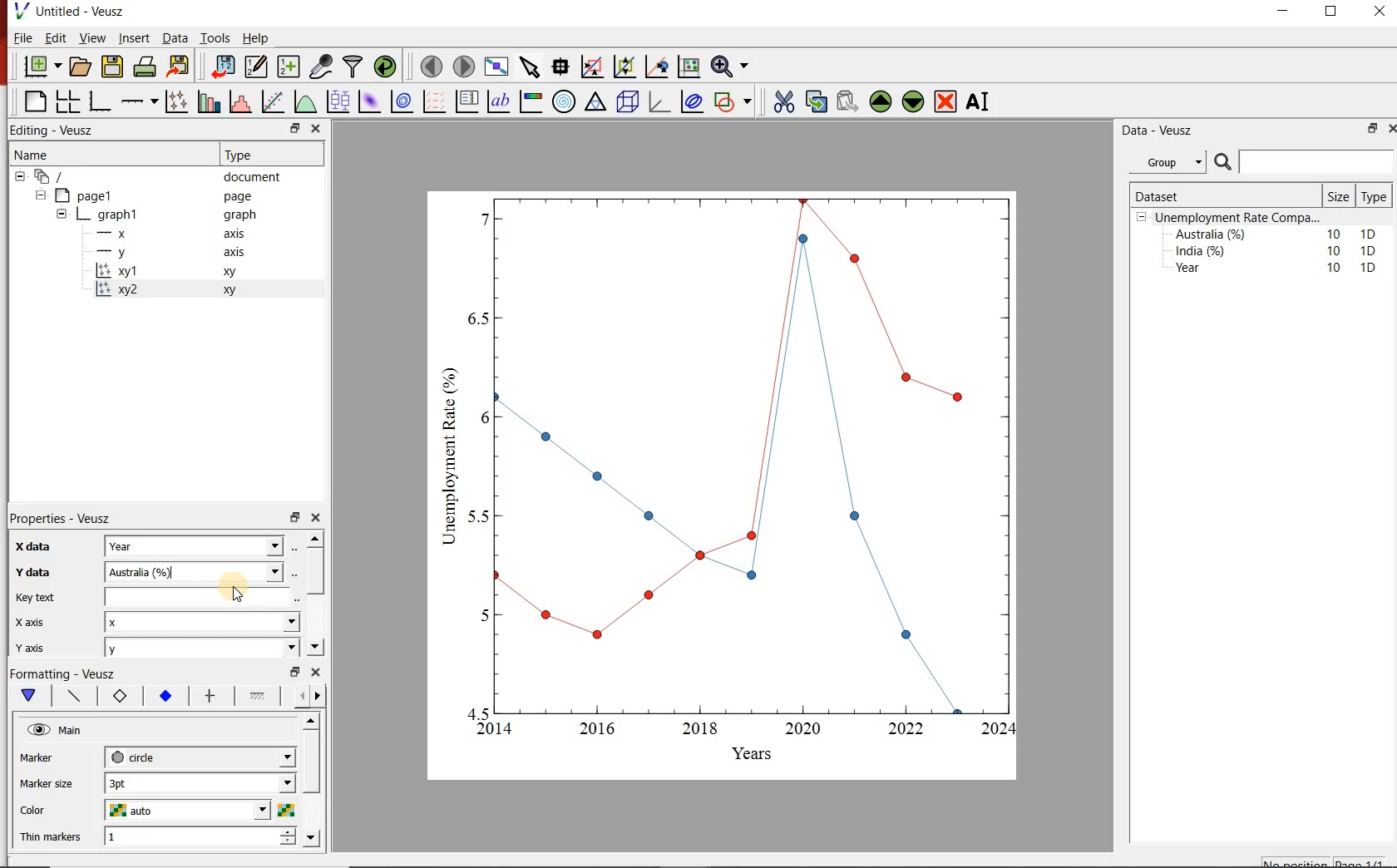  Describe the element at coordinates (101, 101) in the screenshot. I see `base graphs` at that location.